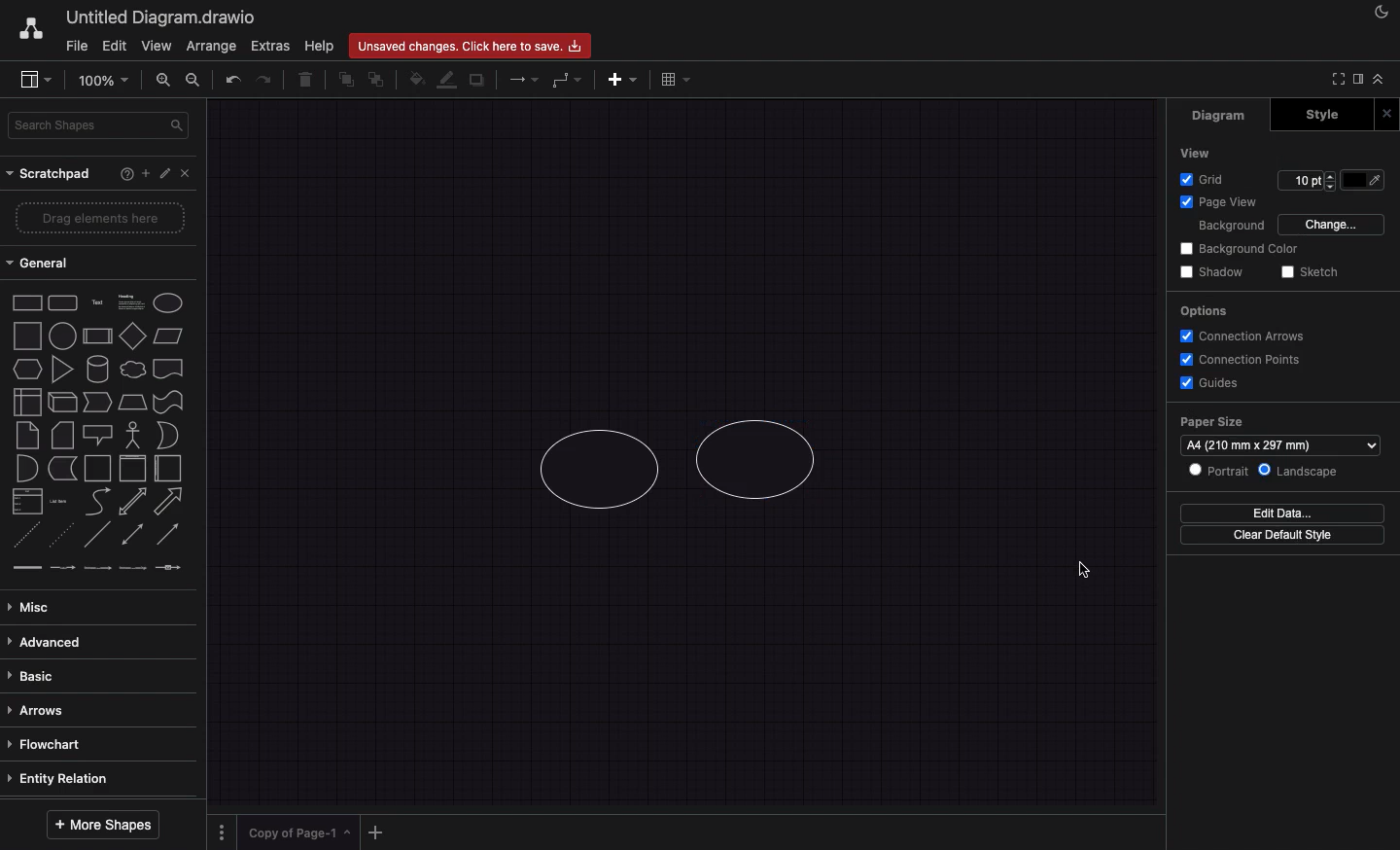  Describe the element at coordinates (22, 533) in the screenshot. I see `dashed line` at that location.